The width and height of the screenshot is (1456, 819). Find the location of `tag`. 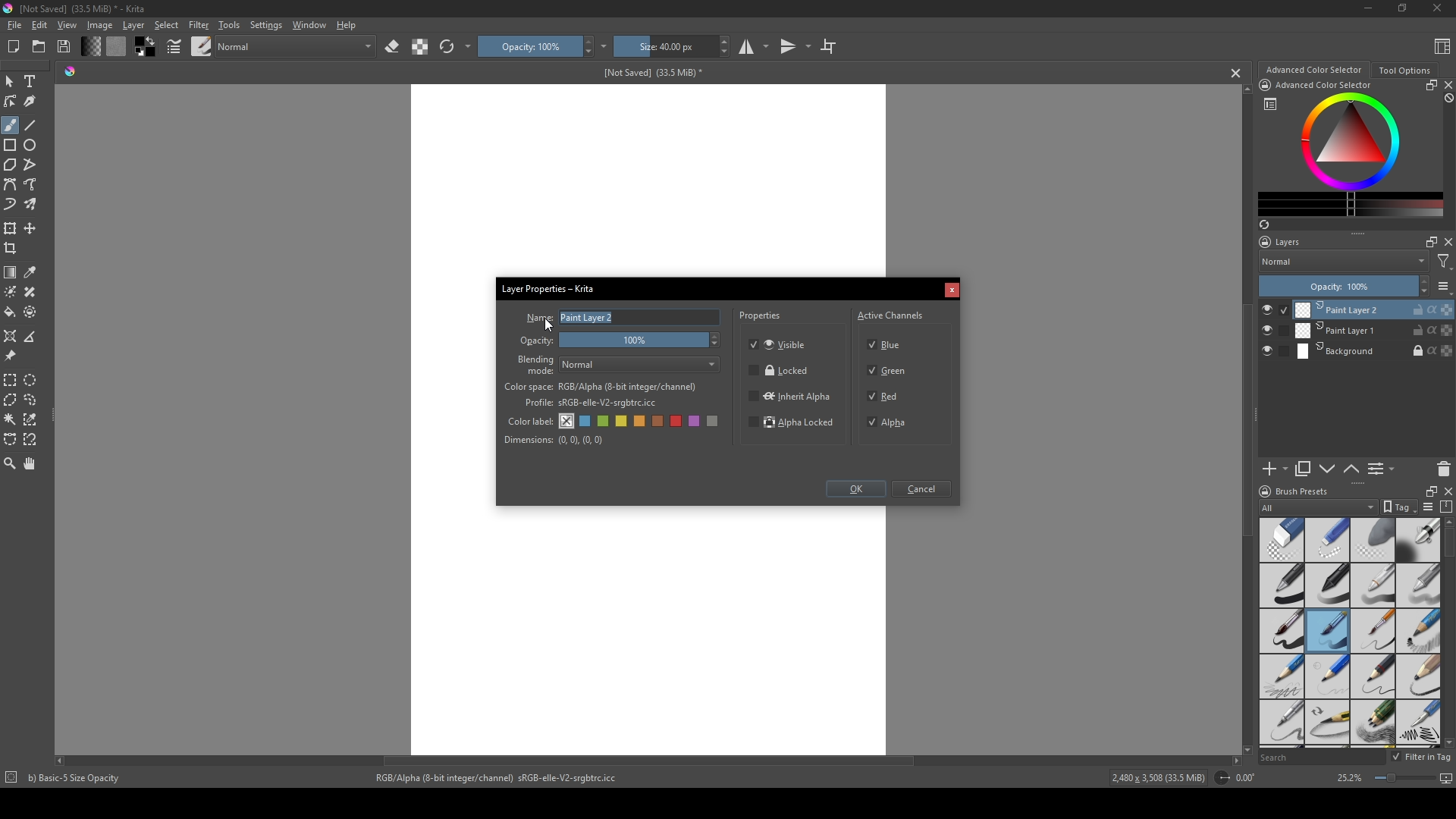

tag is located at coordinates (1398, 507).